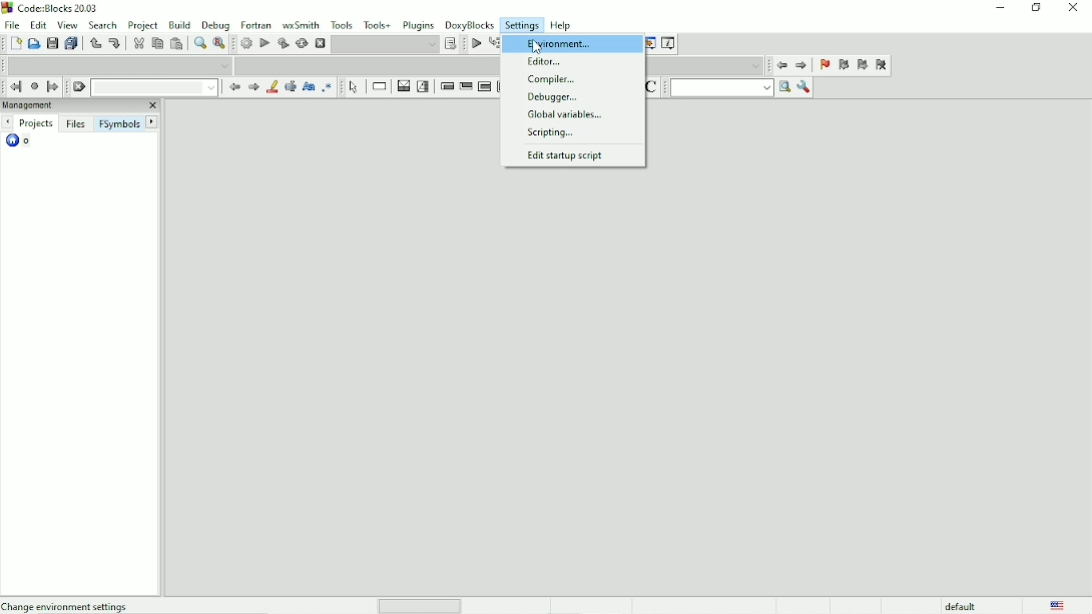 The width and height of the screenshot is (1092, 614). Describe the element at coordinates (154, 87) in the screenshot. I see `Drop down` at that location.